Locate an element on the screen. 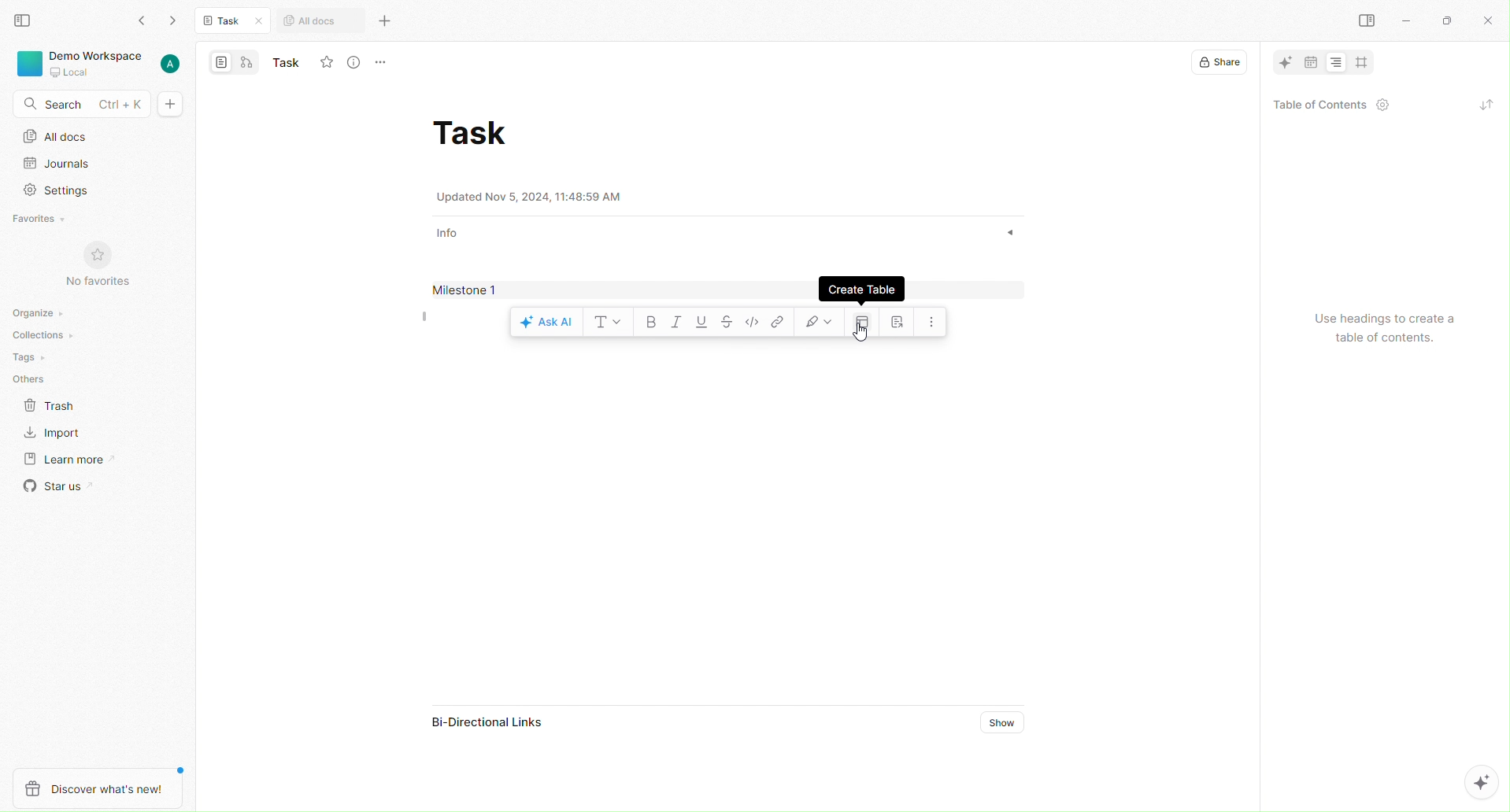 This screenshot has height=812, width=1510. Info is located at coordinates (450, 232).